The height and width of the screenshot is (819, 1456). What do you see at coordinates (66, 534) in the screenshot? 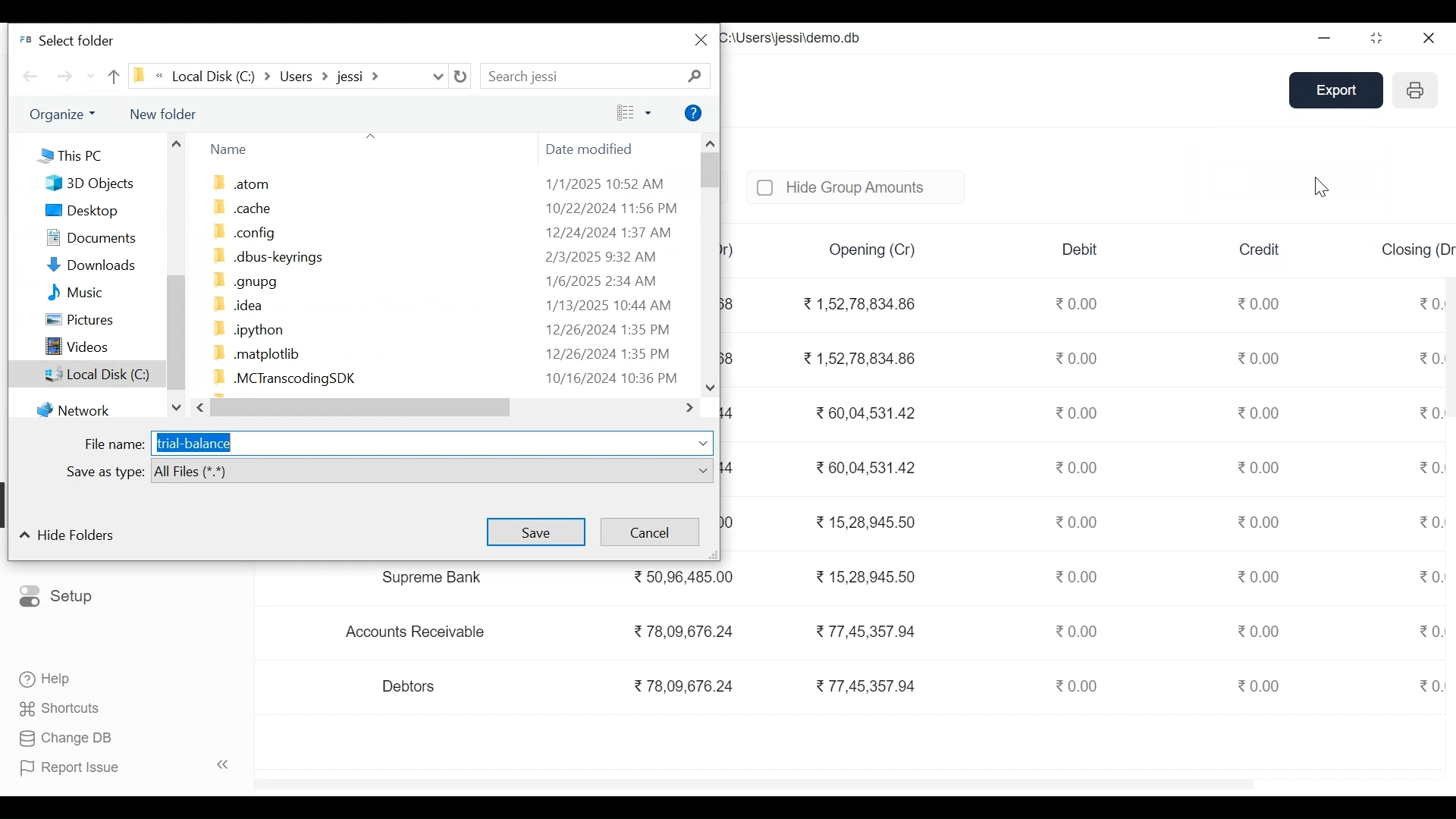
I see `Hide Folders` at bounding box center [66, 534].